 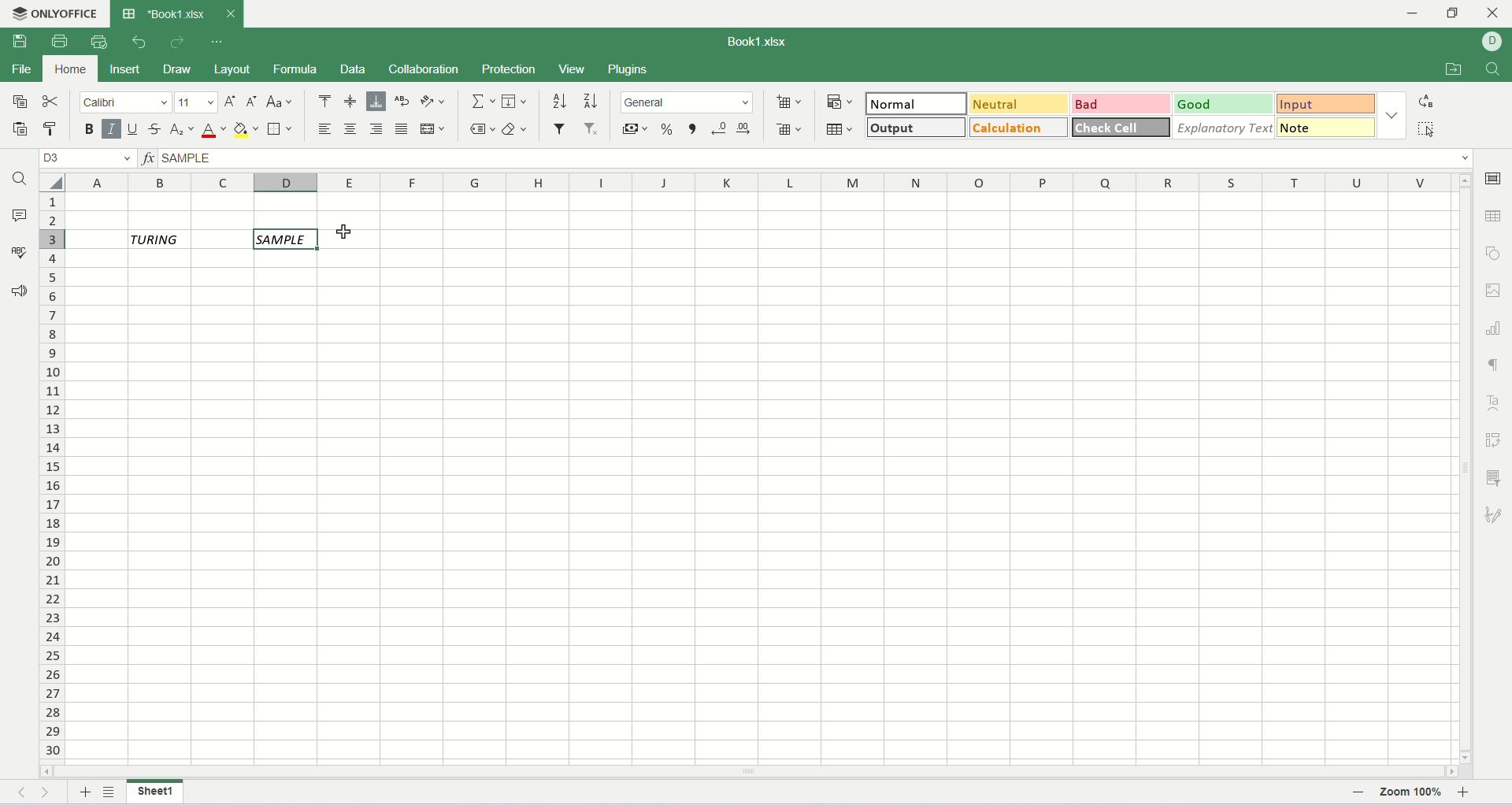 What do you see at coordinates (124, 69) in the screenshot?
I see `insert` at bounding box center [124, 69].